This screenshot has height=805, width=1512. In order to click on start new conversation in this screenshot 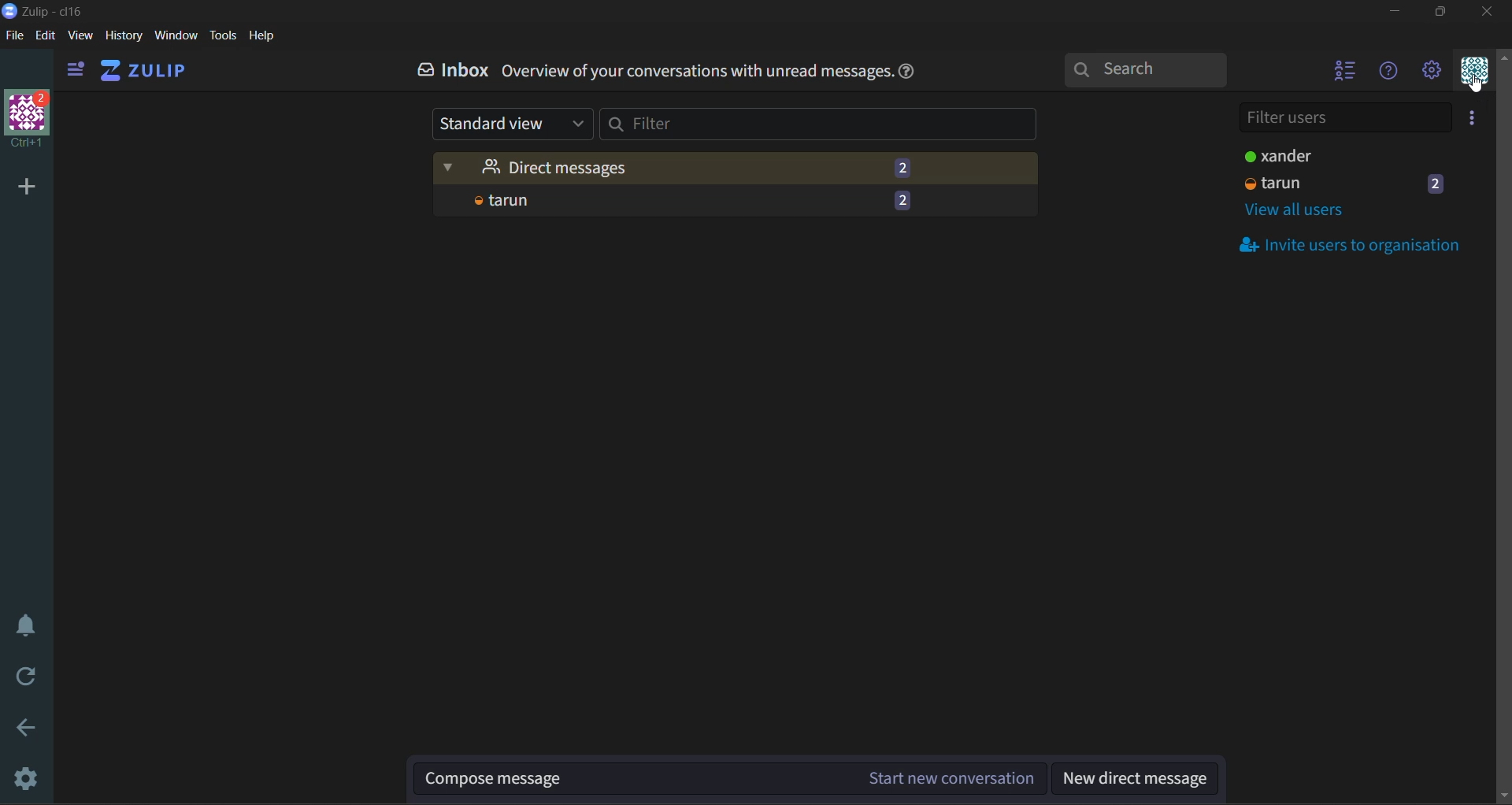, I will do `click(732, 774)`.